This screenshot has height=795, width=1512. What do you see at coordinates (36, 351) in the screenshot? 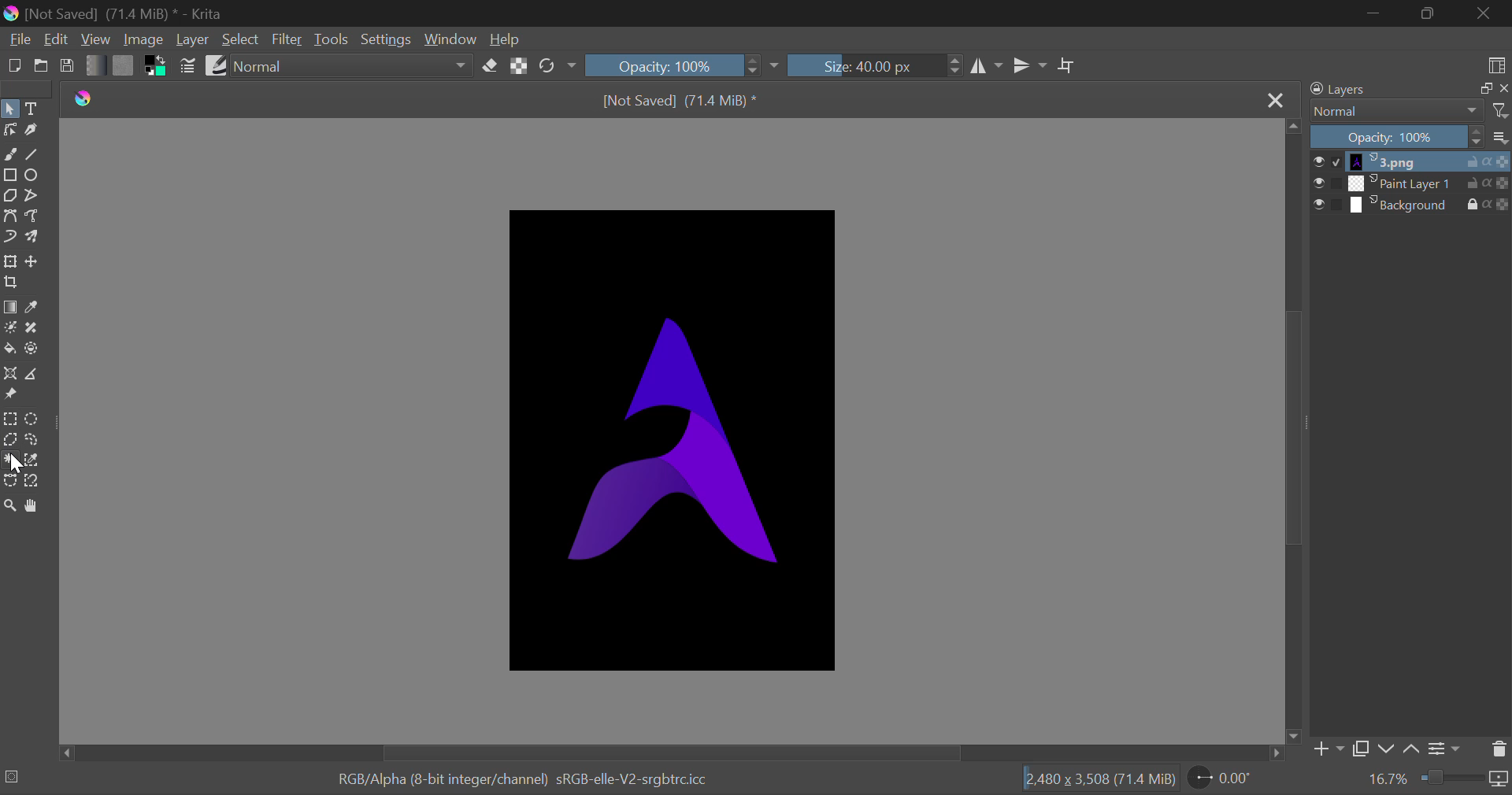
I see `Enclose and Fill` at bounding box center [36, 351].